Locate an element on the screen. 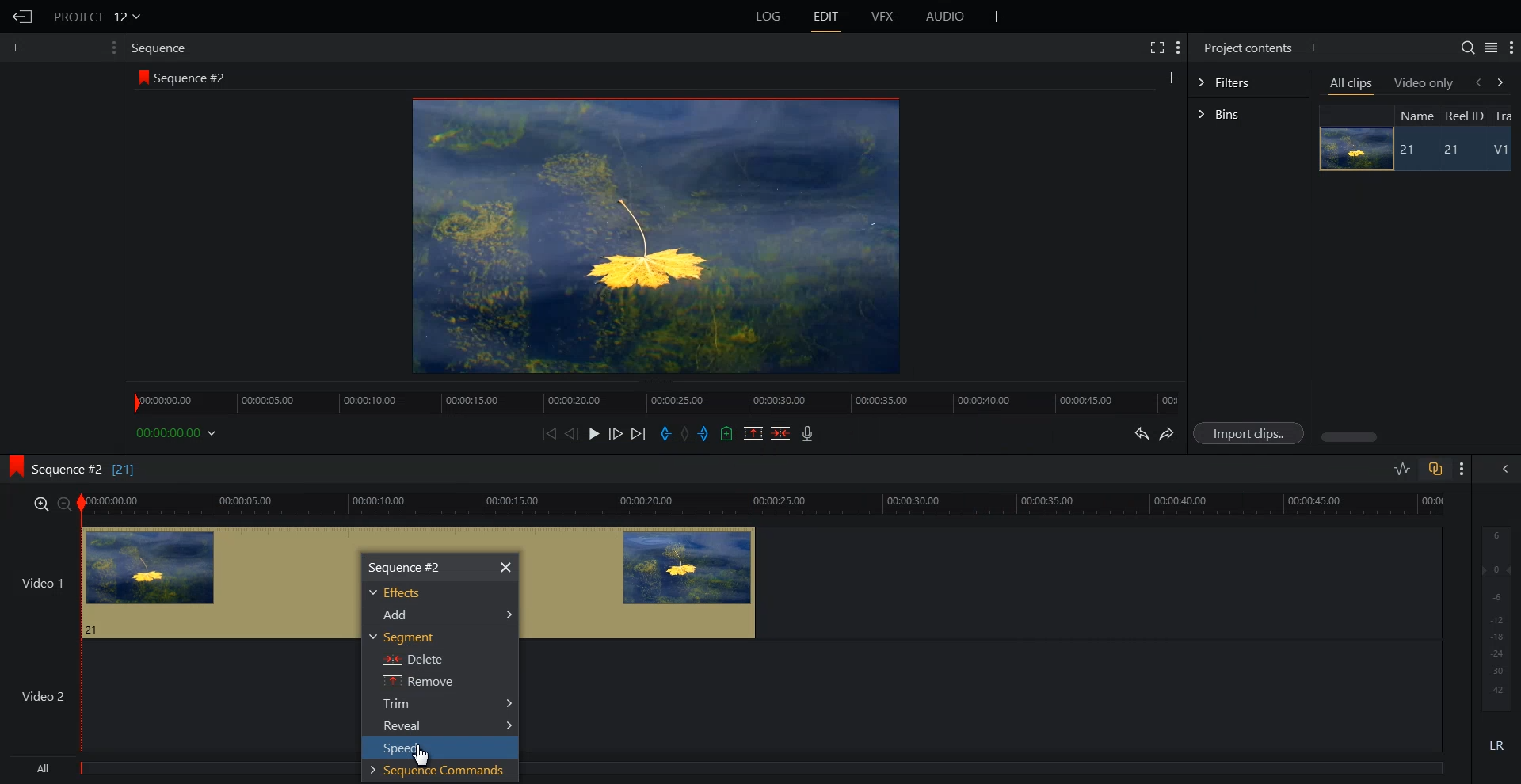 This screenshot has height=784, width=1521. Add panel is located at coordinates (997, 17).